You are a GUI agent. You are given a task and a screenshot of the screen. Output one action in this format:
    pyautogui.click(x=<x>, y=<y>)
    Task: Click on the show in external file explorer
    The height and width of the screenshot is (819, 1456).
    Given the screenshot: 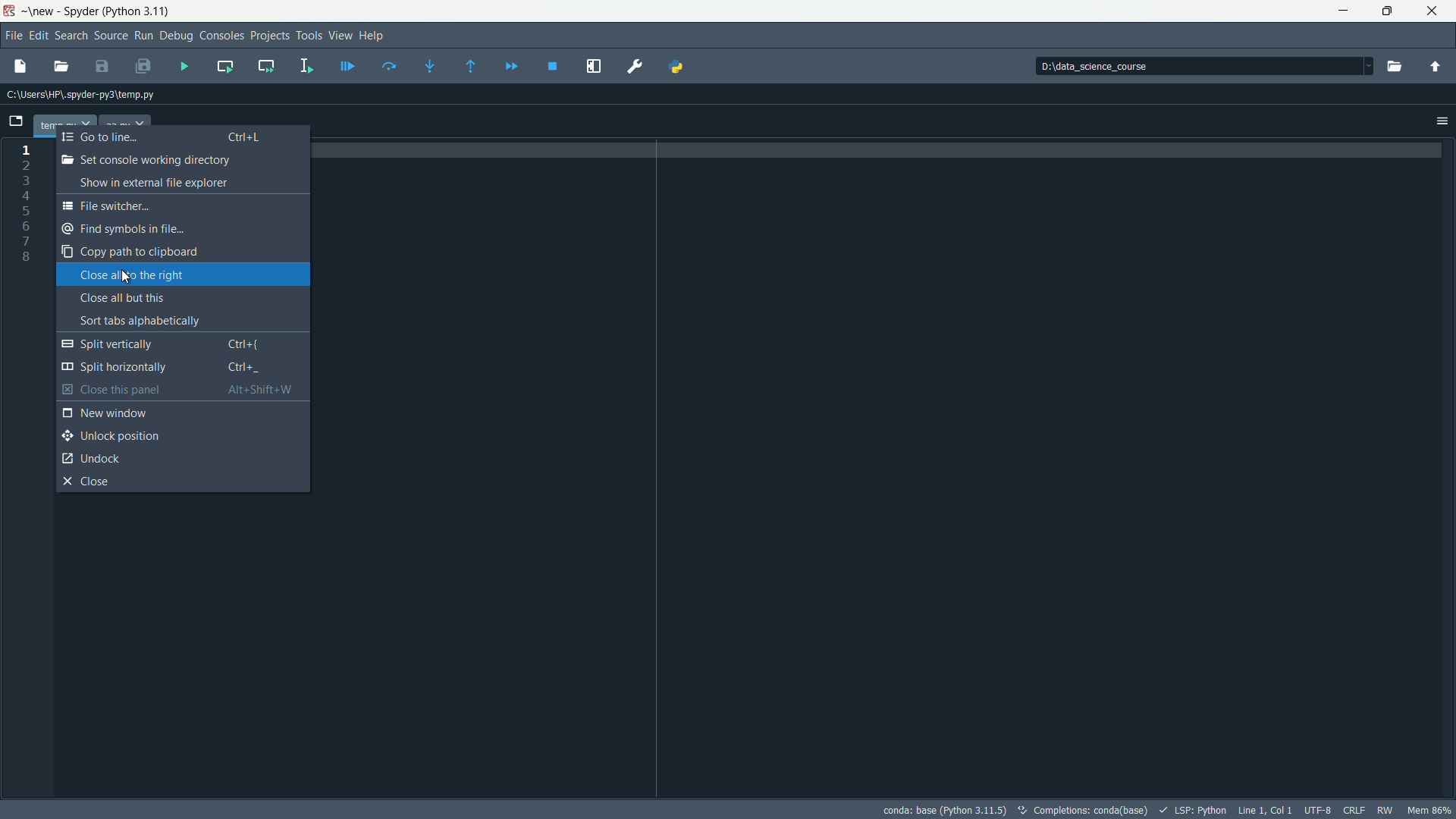 What is the action you would take?
    pyautogui.click(x=148, y=184)
    